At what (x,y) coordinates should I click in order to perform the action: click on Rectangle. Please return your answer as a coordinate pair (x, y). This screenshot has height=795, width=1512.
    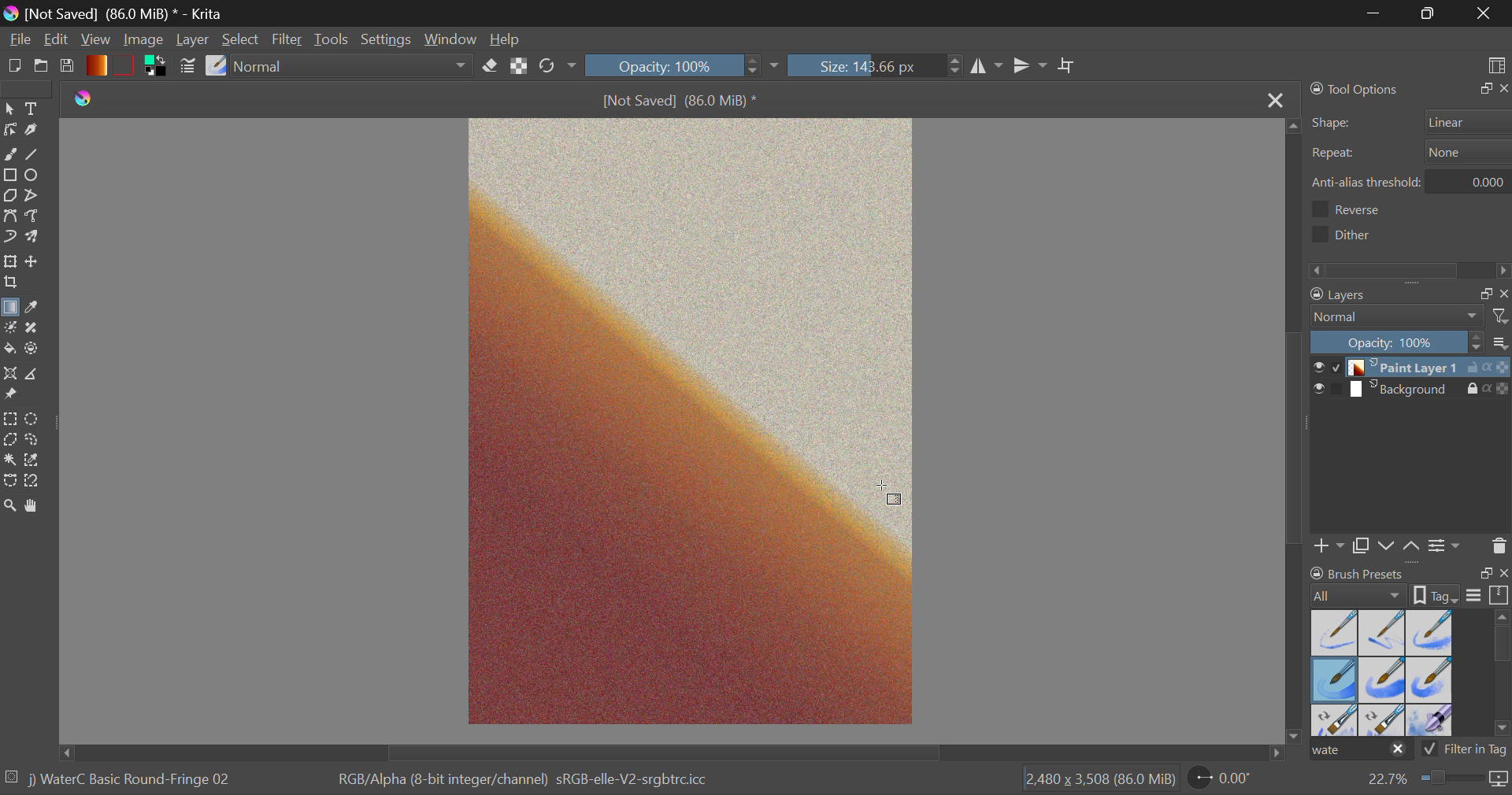
    Looking at the image, I should click on (9, 175).